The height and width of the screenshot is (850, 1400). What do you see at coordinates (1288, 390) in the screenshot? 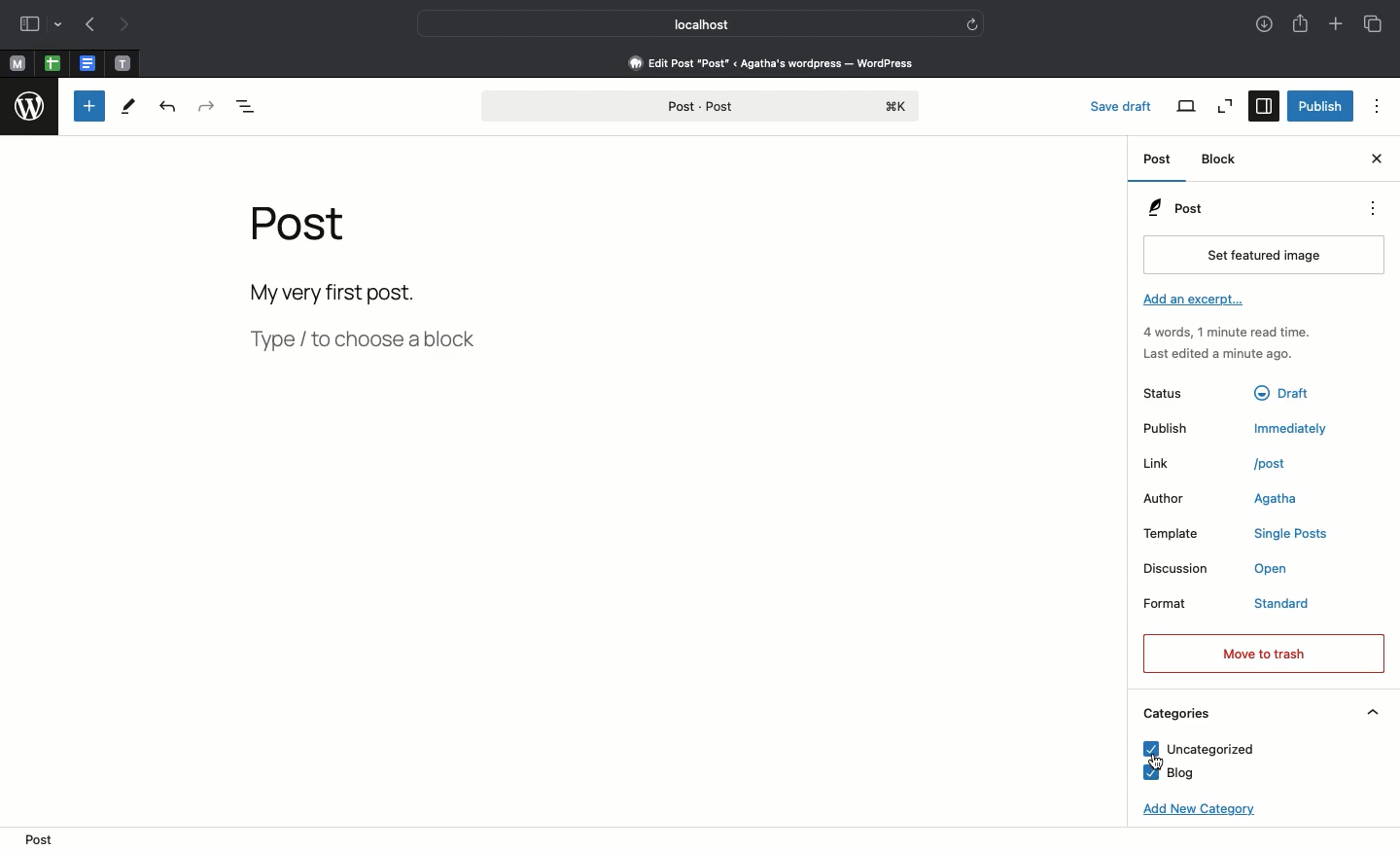
I see `` at bounding box center [1288, 390].